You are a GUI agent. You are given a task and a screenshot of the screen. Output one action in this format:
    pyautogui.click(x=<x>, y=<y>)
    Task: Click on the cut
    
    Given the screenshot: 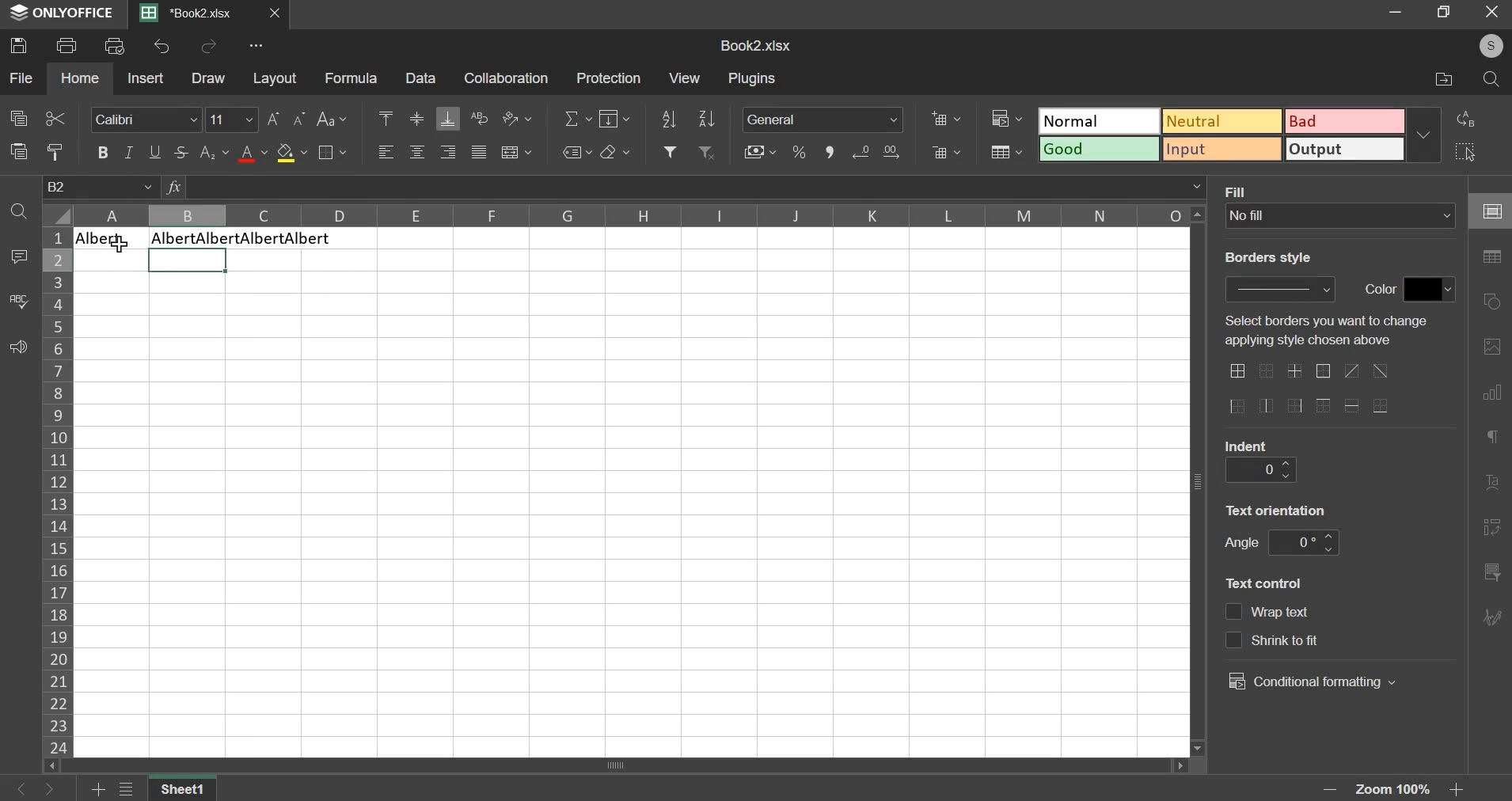 What is the action you would take?
    pyautogui.click(x=55, y=117)
    